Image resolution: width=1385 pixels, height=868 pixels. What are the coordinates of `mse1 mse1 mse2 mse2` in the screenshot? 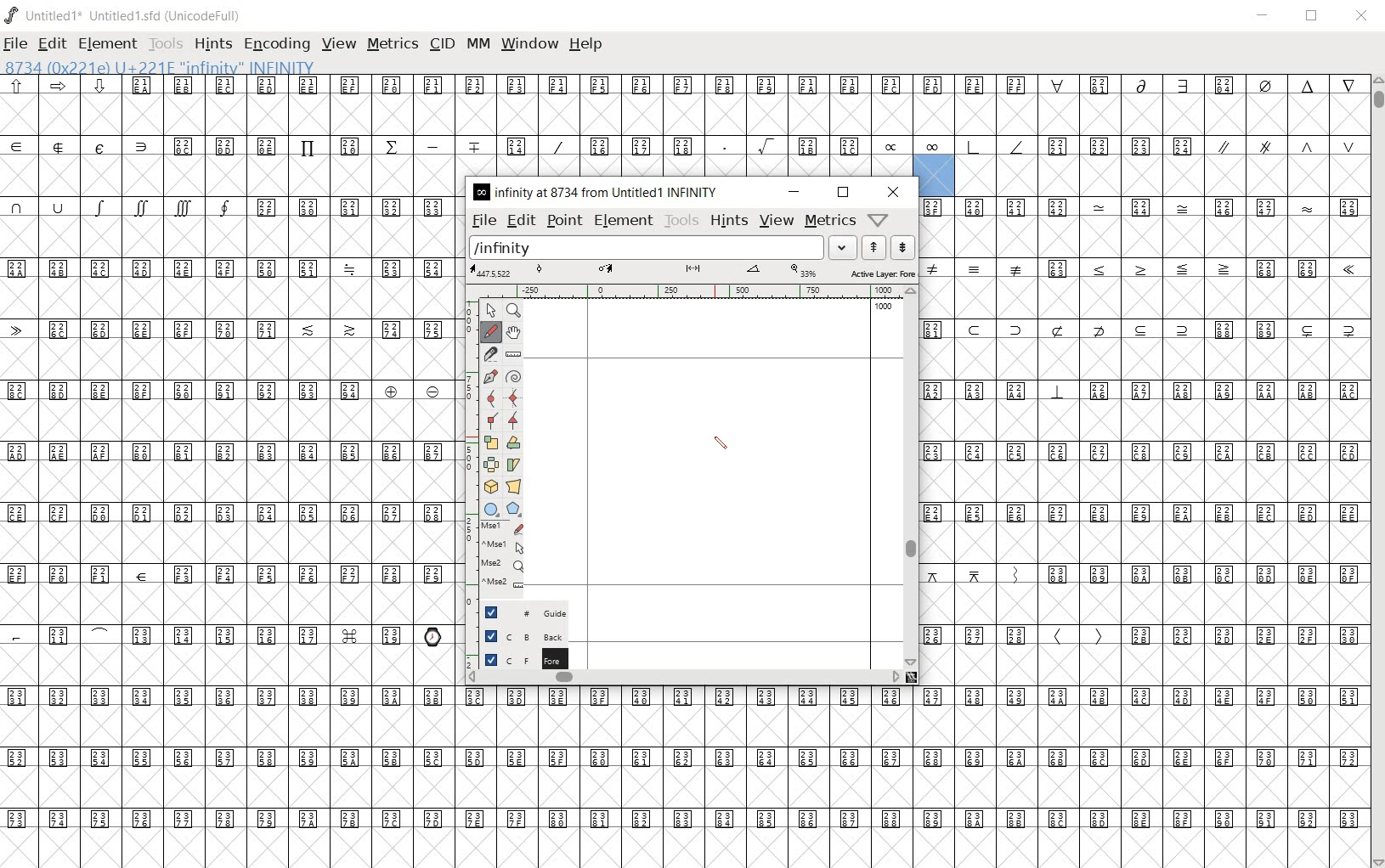 It's located at (497, 559).